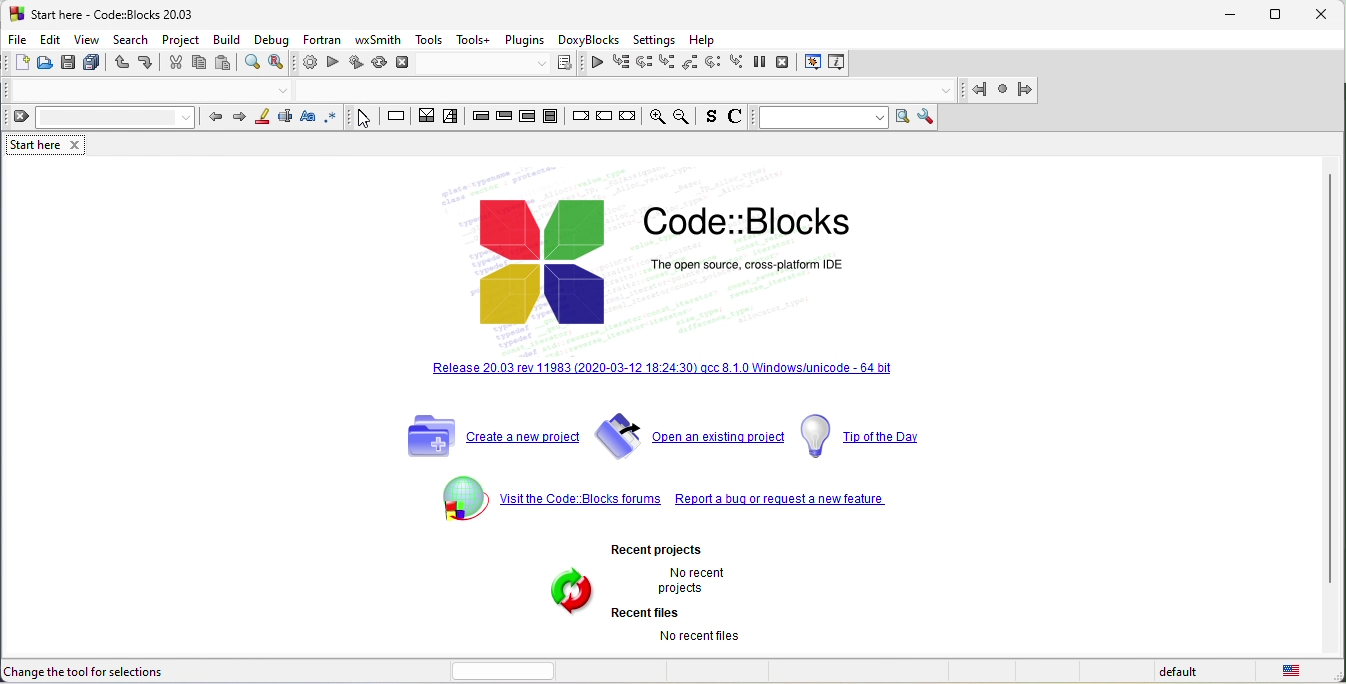 This screenshot has height=684, width=1346. Describe the element at coordinates (709, 118) in the screenshot. I see `source` at that location.